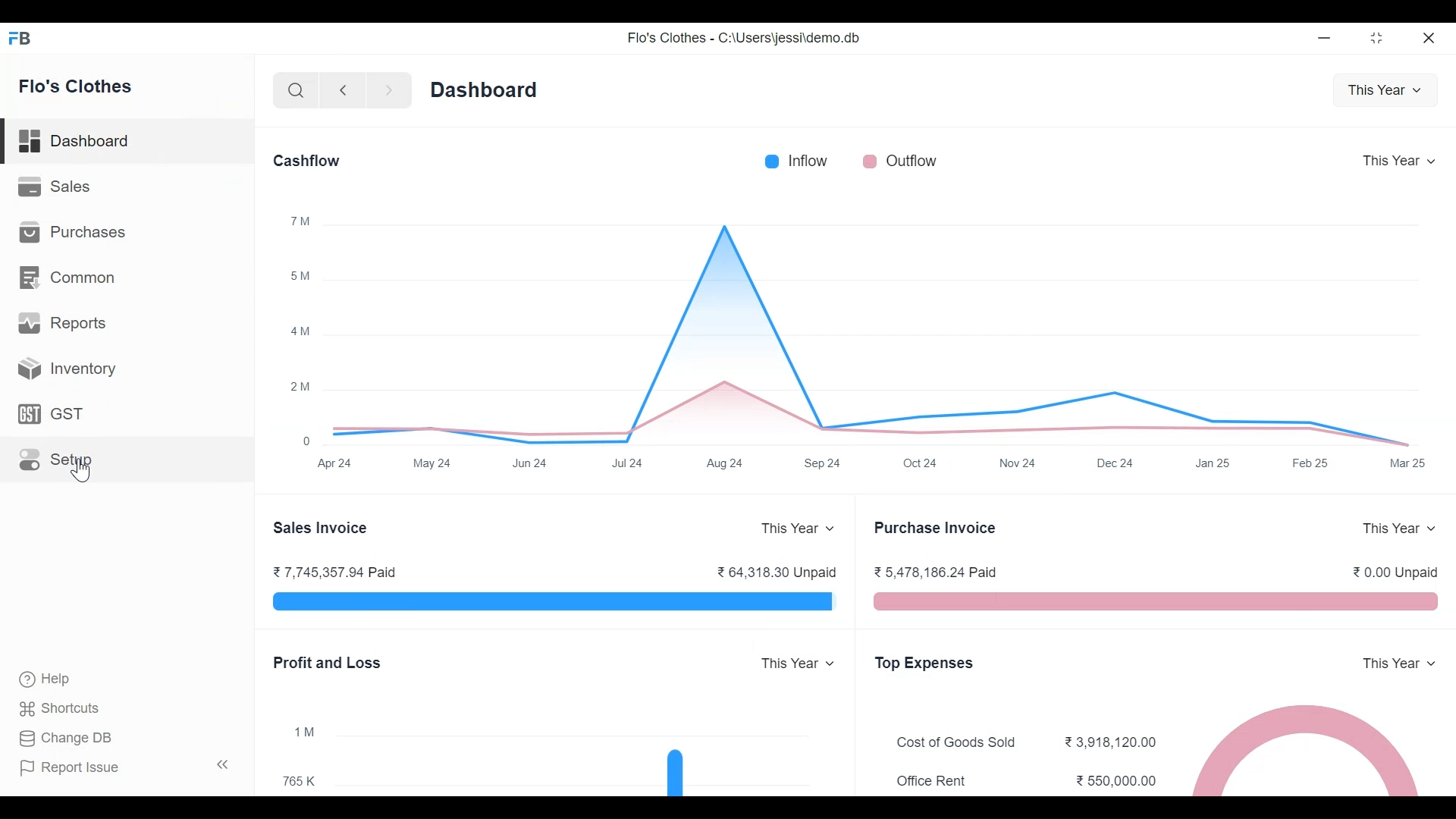 The height and width of the screenshot is (819, 1456). I want to click on back, so click(349, 93).